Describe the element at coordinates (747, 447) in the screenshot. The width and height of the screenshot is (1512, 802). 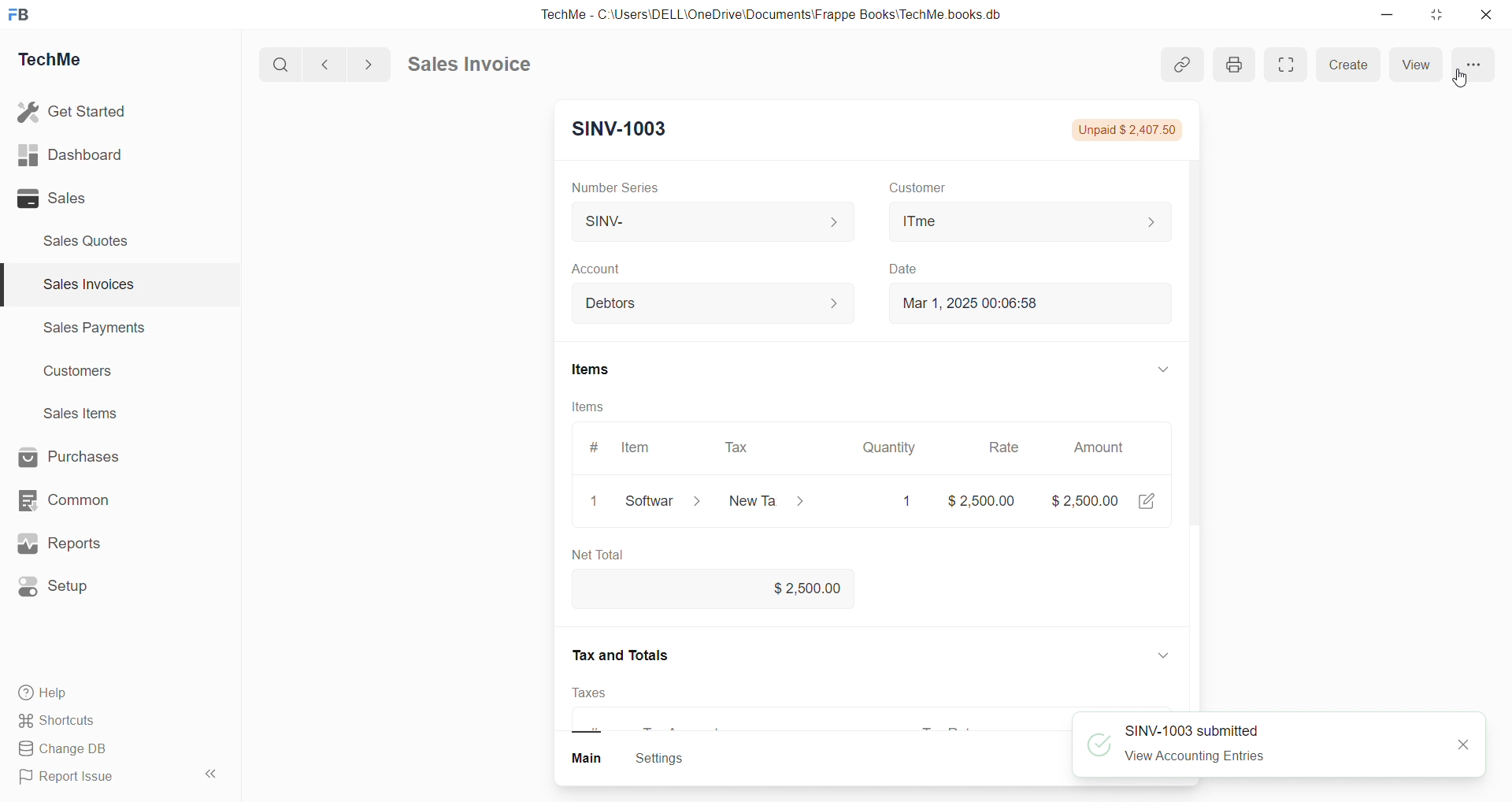
I see `Tax` at that location.